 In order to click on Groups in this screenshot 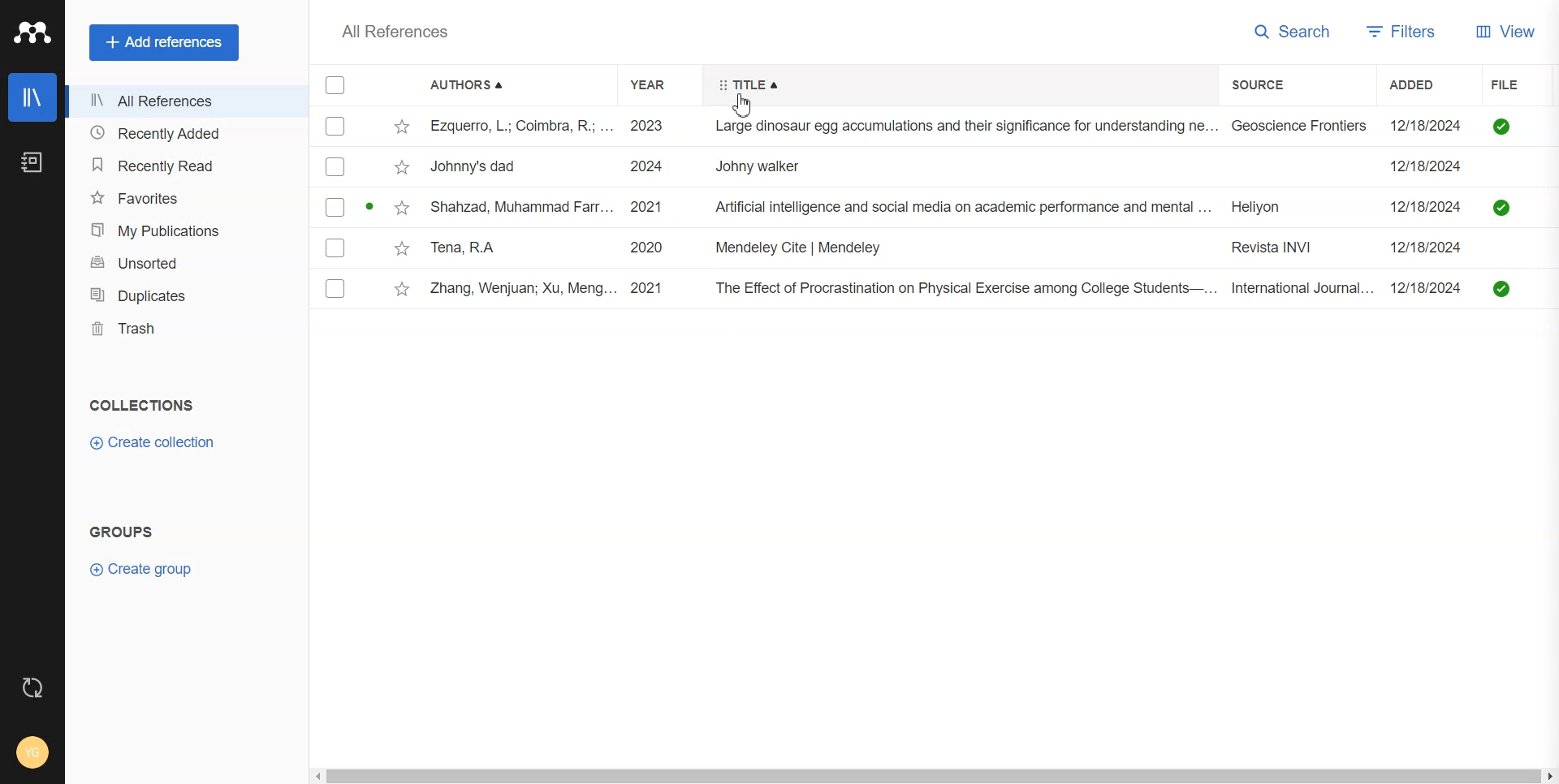, I will do `click(124, 531)`.